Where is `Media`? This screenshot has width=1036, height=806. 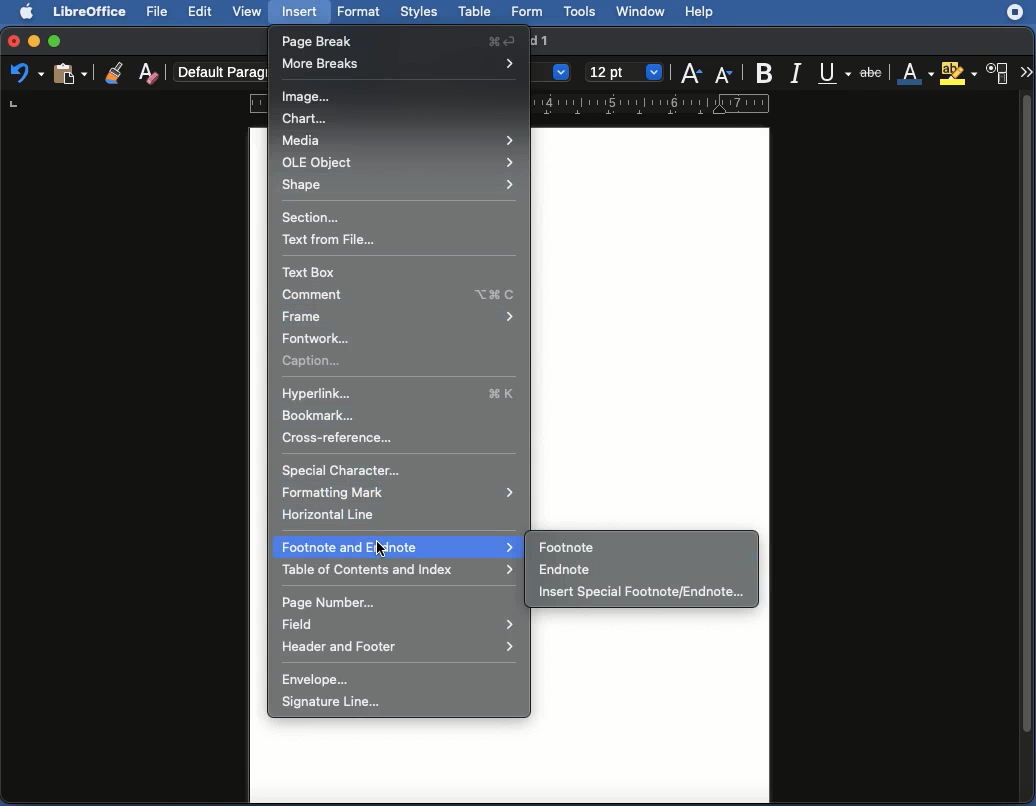 Media is located at coordinates (399, 140).